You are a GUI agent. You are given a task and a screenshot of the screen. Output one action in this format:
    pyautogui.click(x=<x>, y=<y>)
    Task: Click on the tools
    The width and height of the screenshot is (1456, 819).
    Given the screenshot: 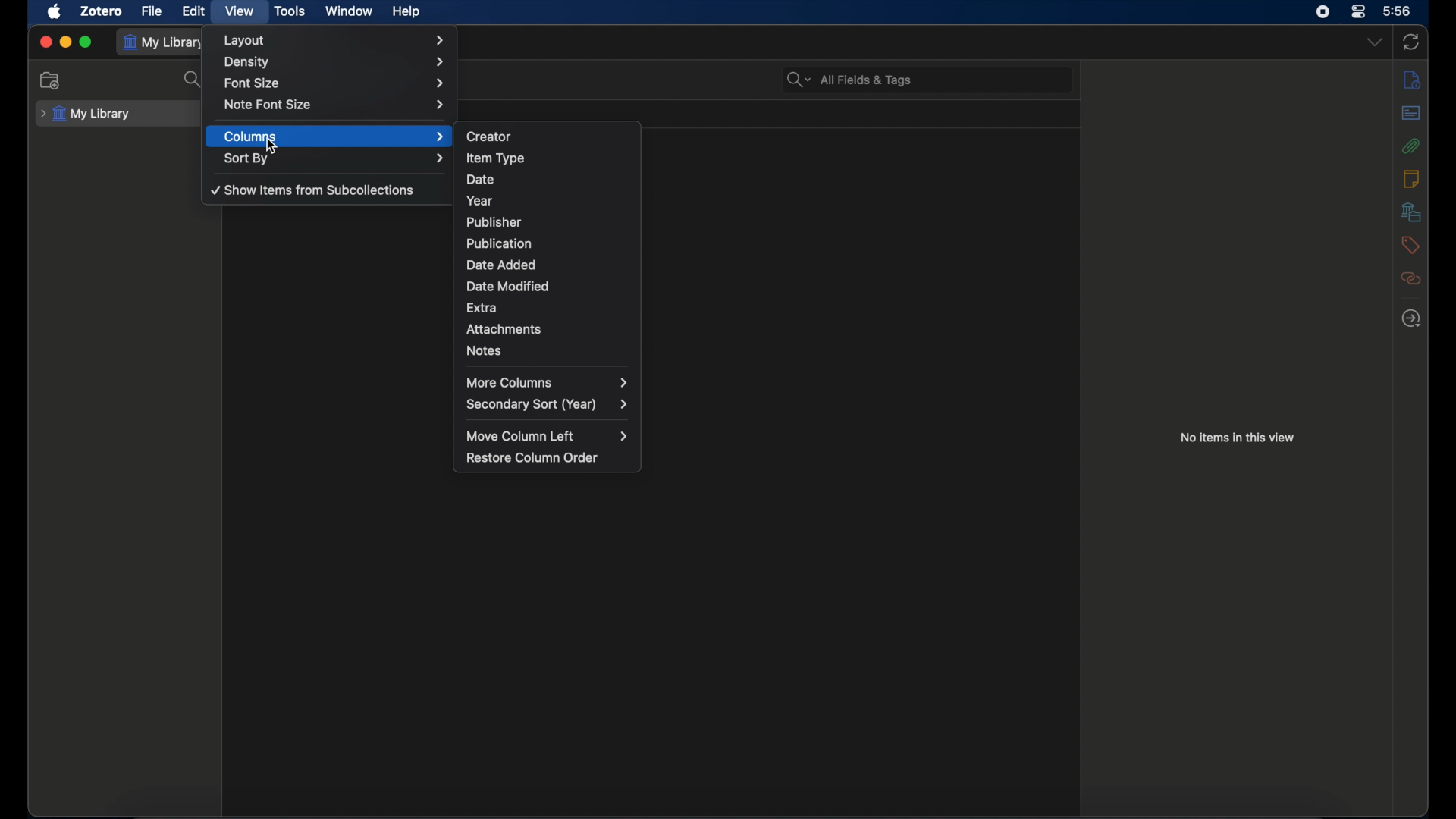 What is the action you would take?
    pyautogui.click(x=290, y=11)
    